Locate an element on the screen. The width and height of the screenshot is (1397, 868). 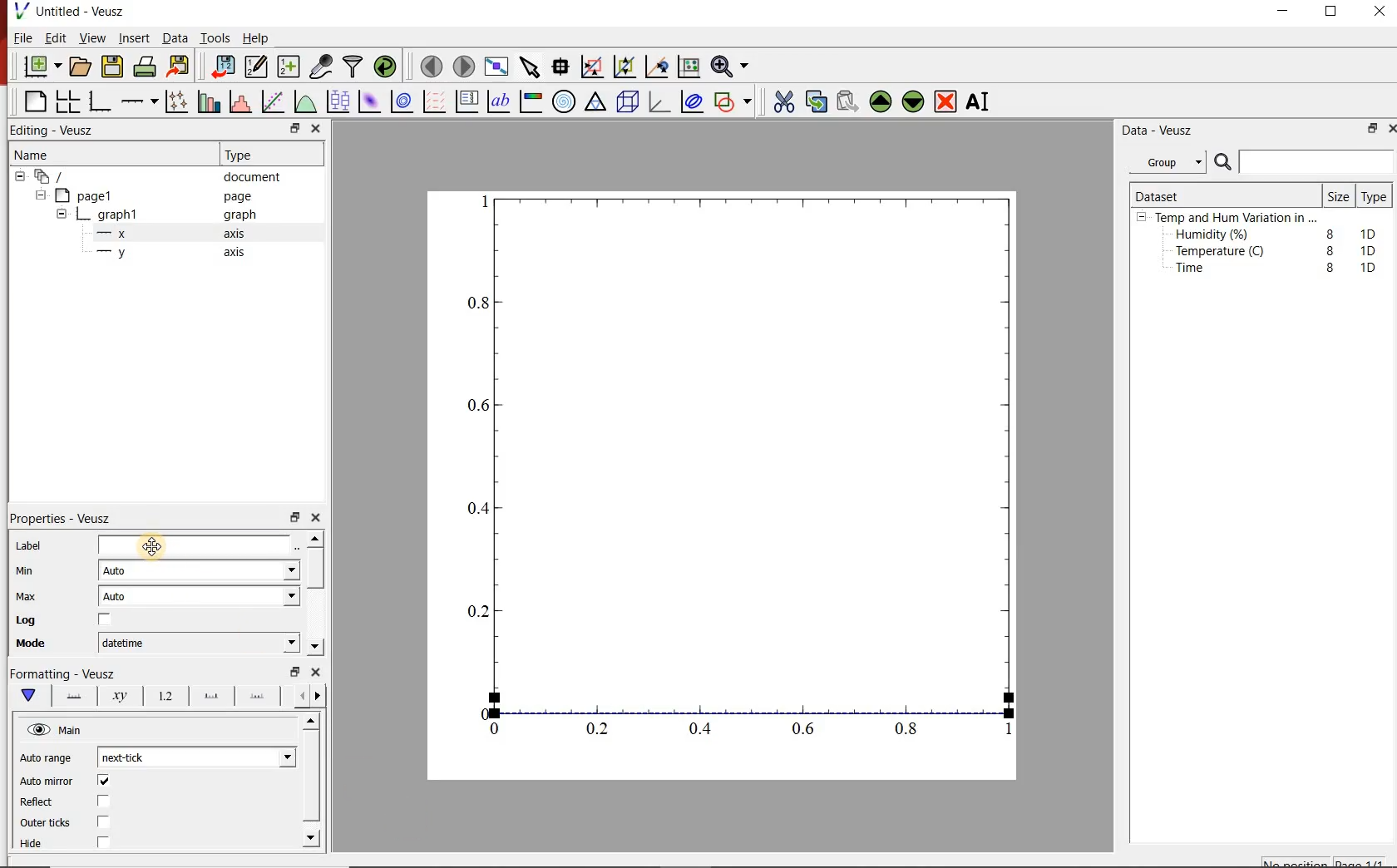
cut the selected widget is located at coordinates (782, 100).